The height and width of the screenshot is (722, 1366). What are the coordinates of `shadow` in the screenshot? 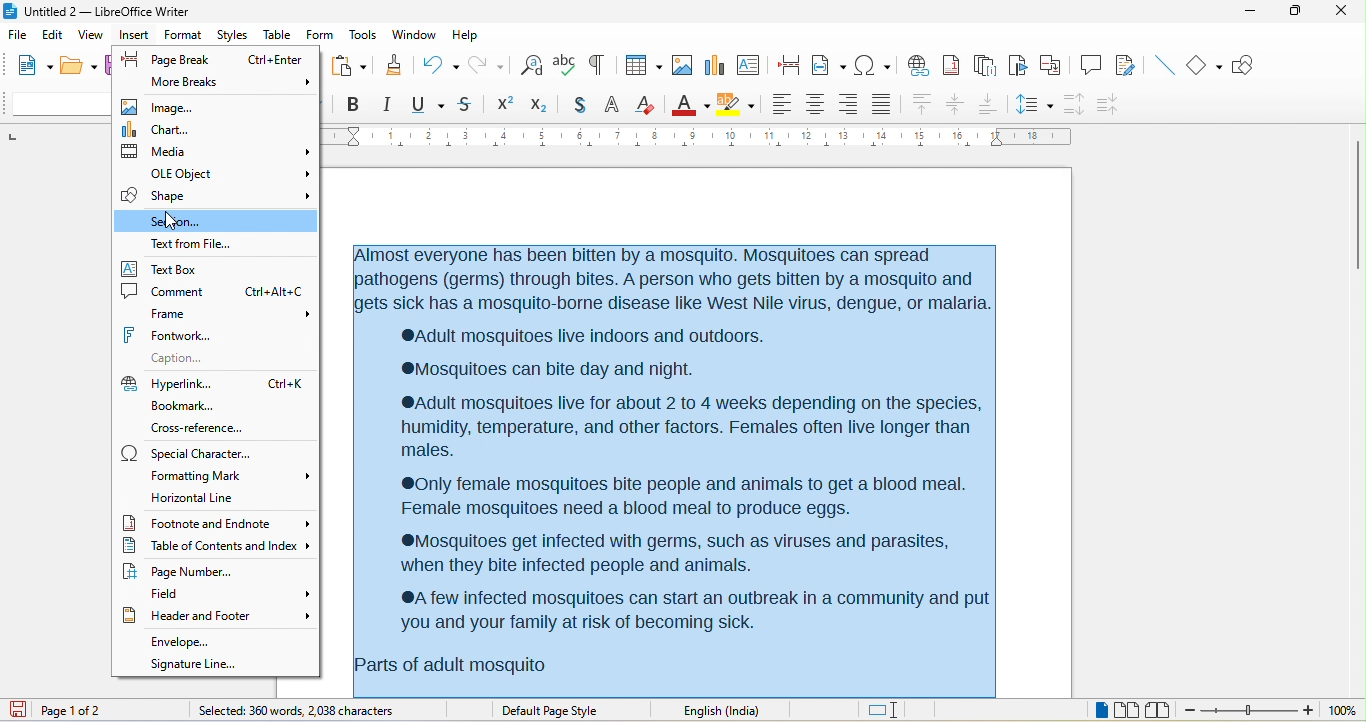 It's located at (576, 105).